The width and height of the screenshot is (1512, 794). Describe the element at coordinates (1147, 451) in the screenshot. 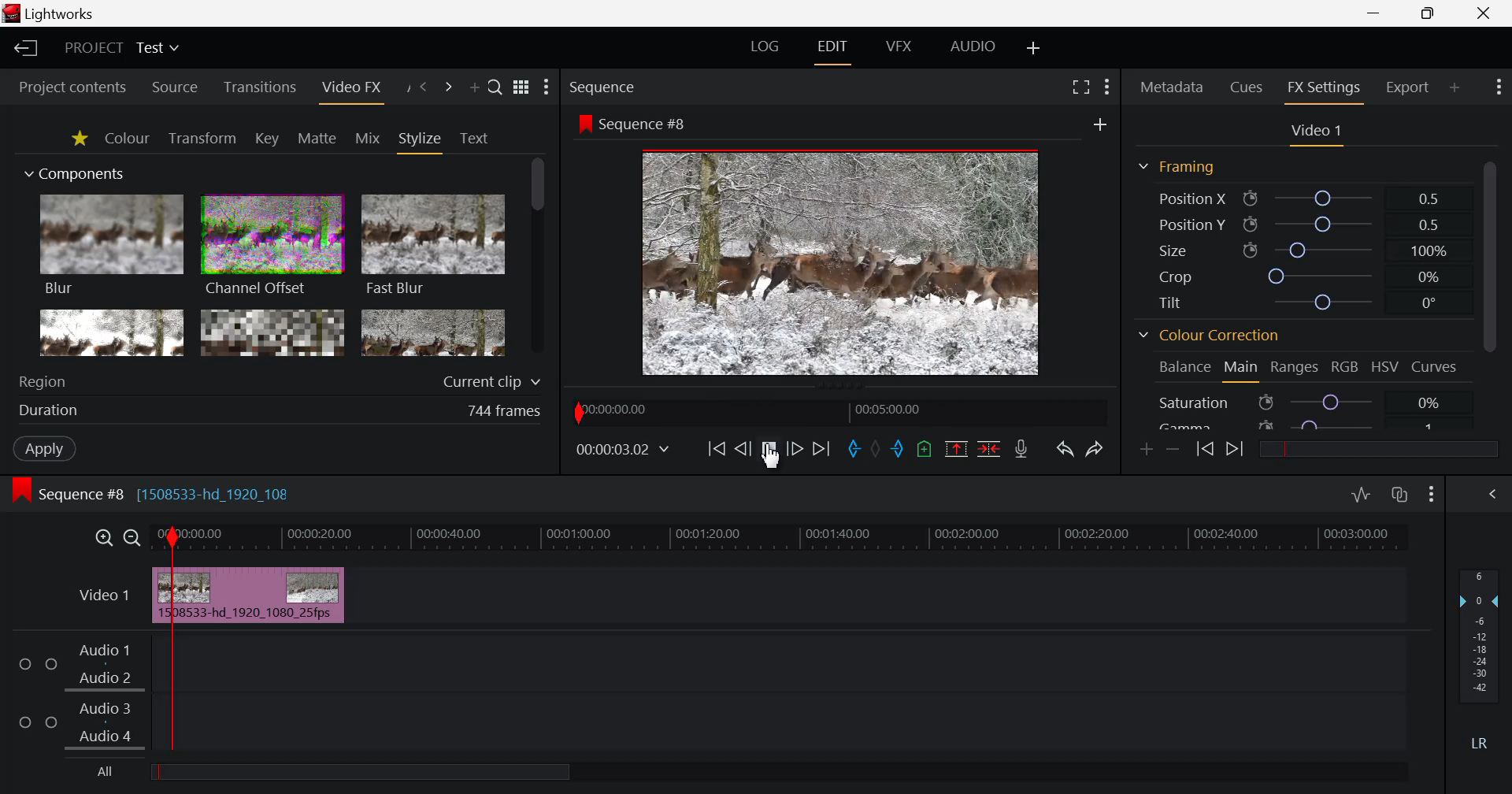

I see `Add keyframe` at that location.